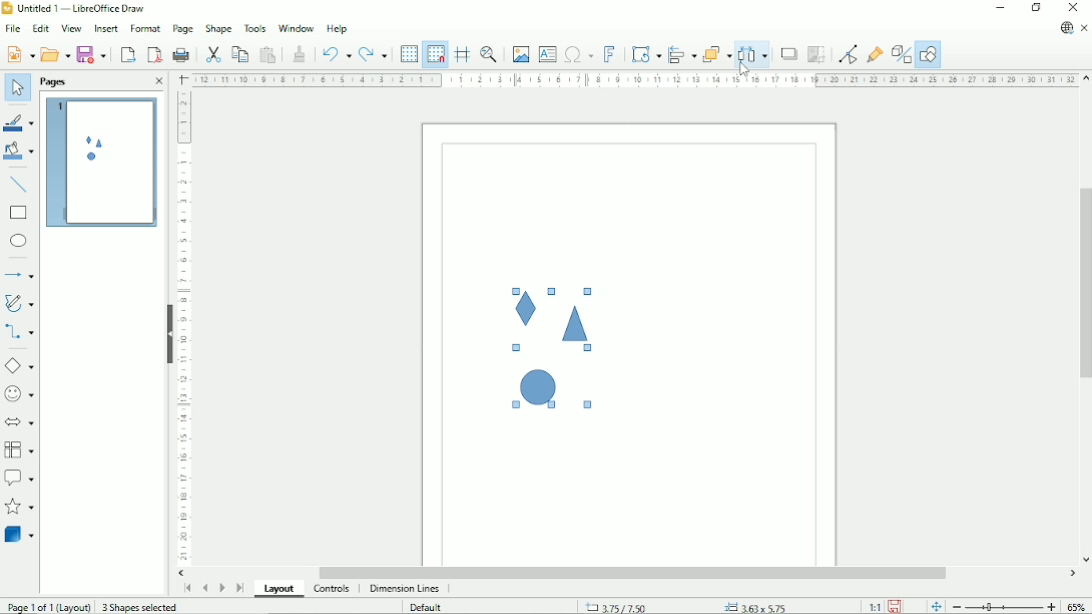  What do you see at coordinates (1066, 28) in the screenshot?
I see `Update available` at bounding box center [1066, 28].